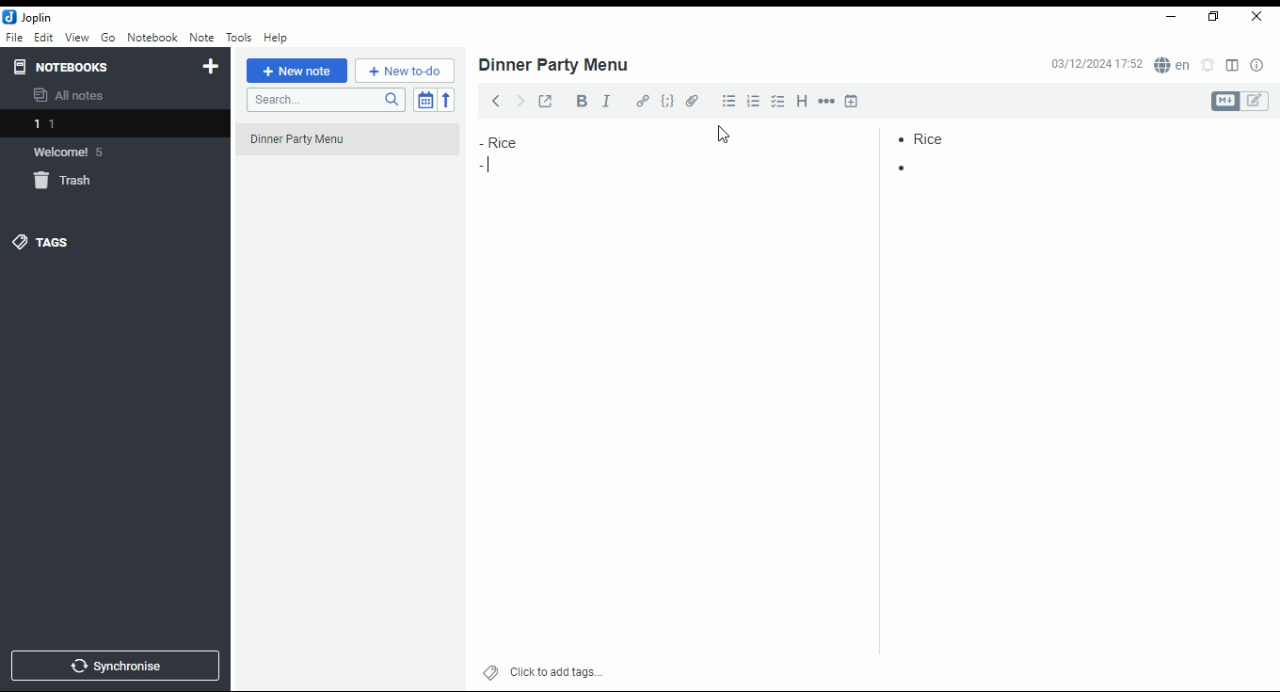  What do you see at coordinates (726, 136) in the screenshot?
I see `cursor` at bounding box center [726, 136].